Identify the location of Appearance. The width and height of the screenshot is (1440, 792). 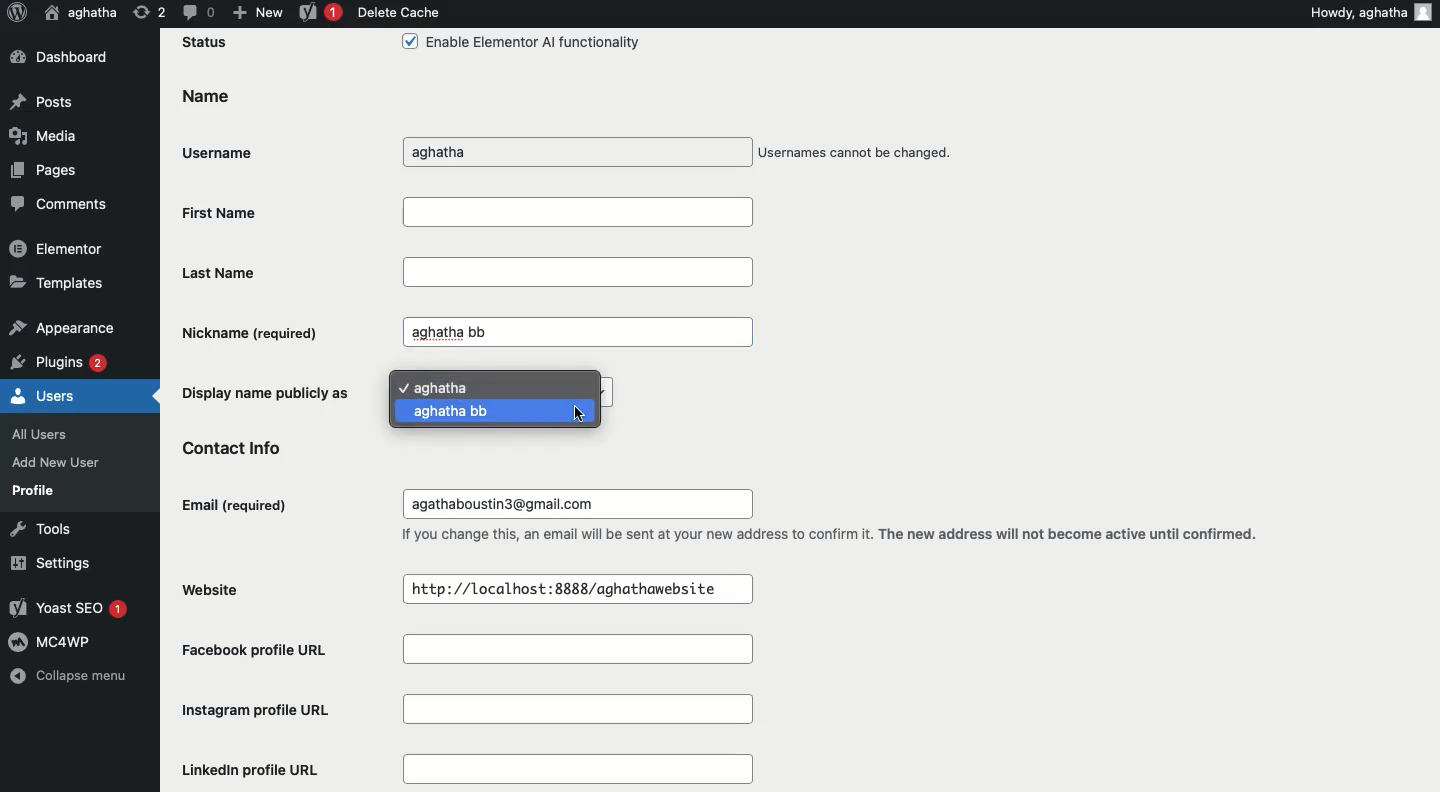
(61, 325).